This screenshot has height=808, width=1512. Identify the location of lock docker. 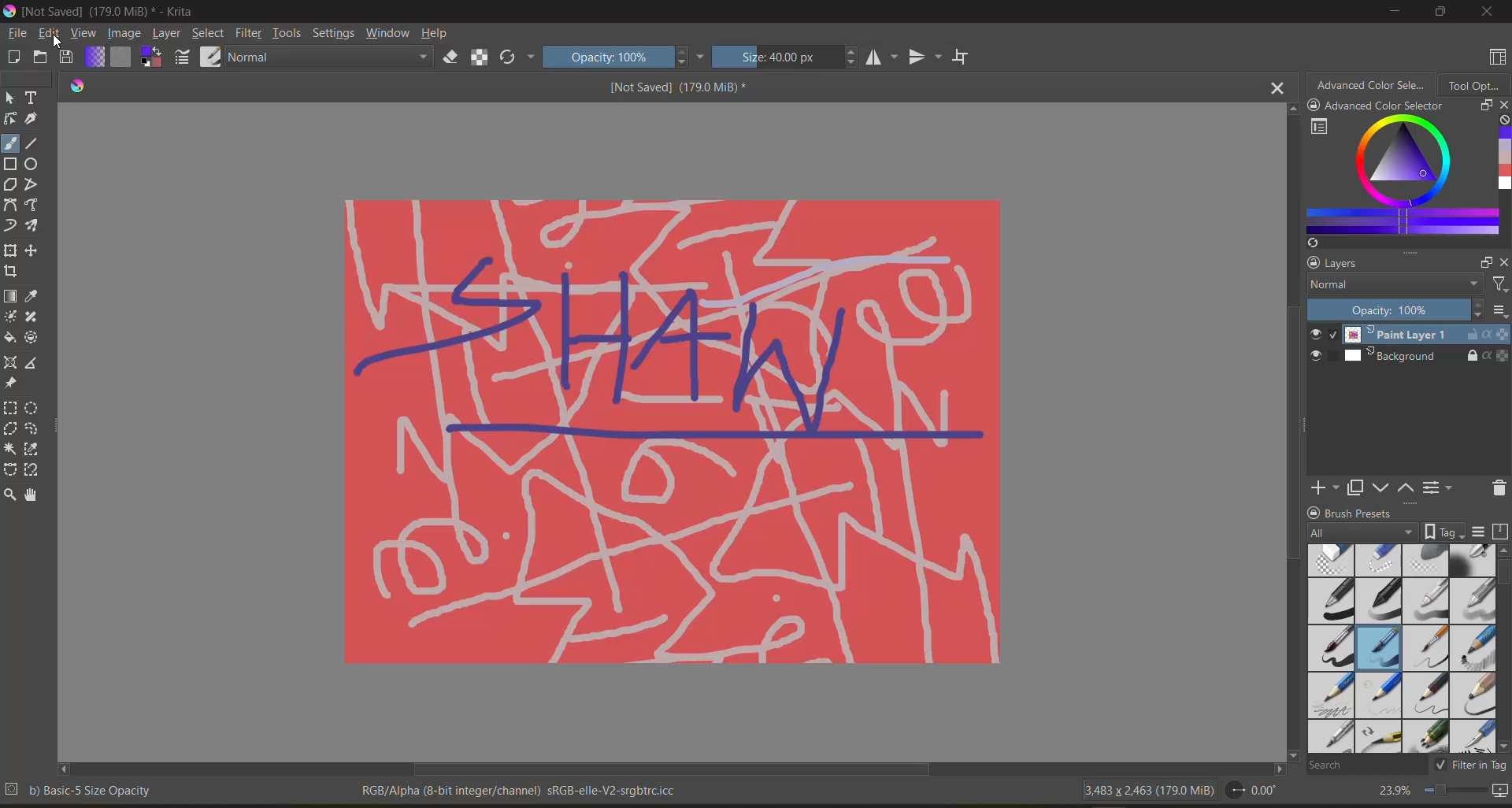
(1314, 265).